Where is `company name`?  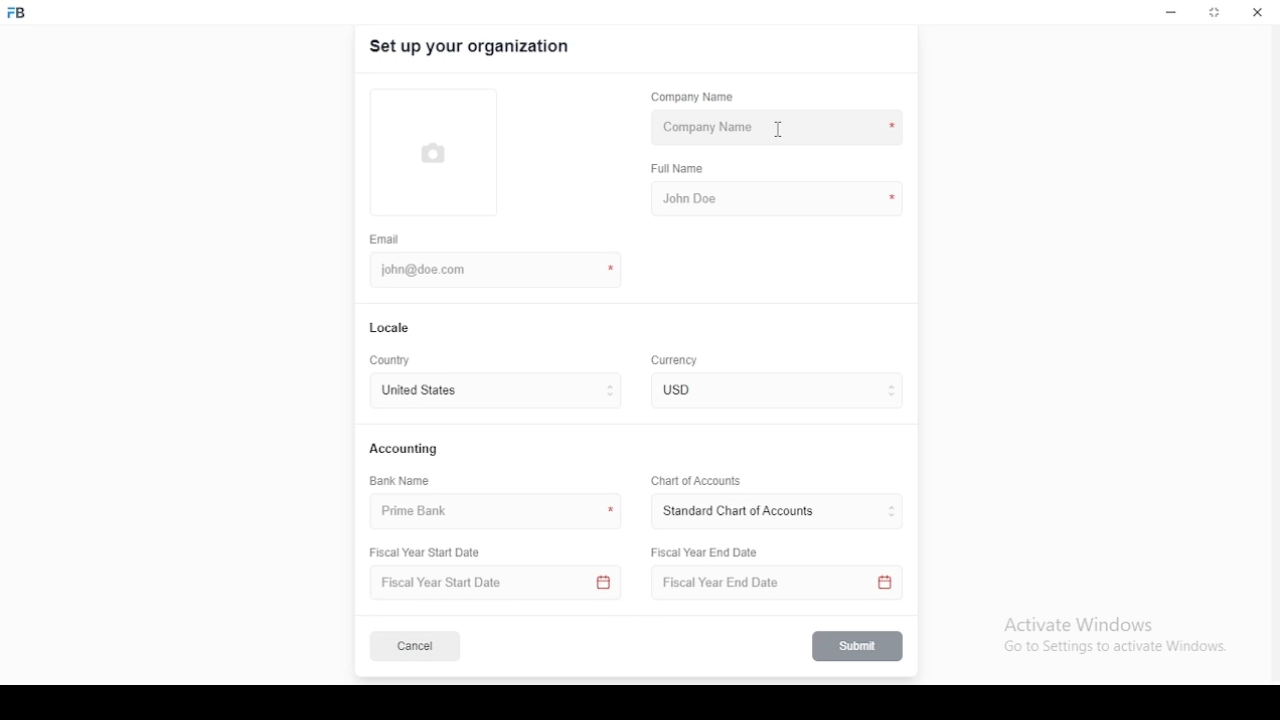 company name is located at coordinates (692, 97).